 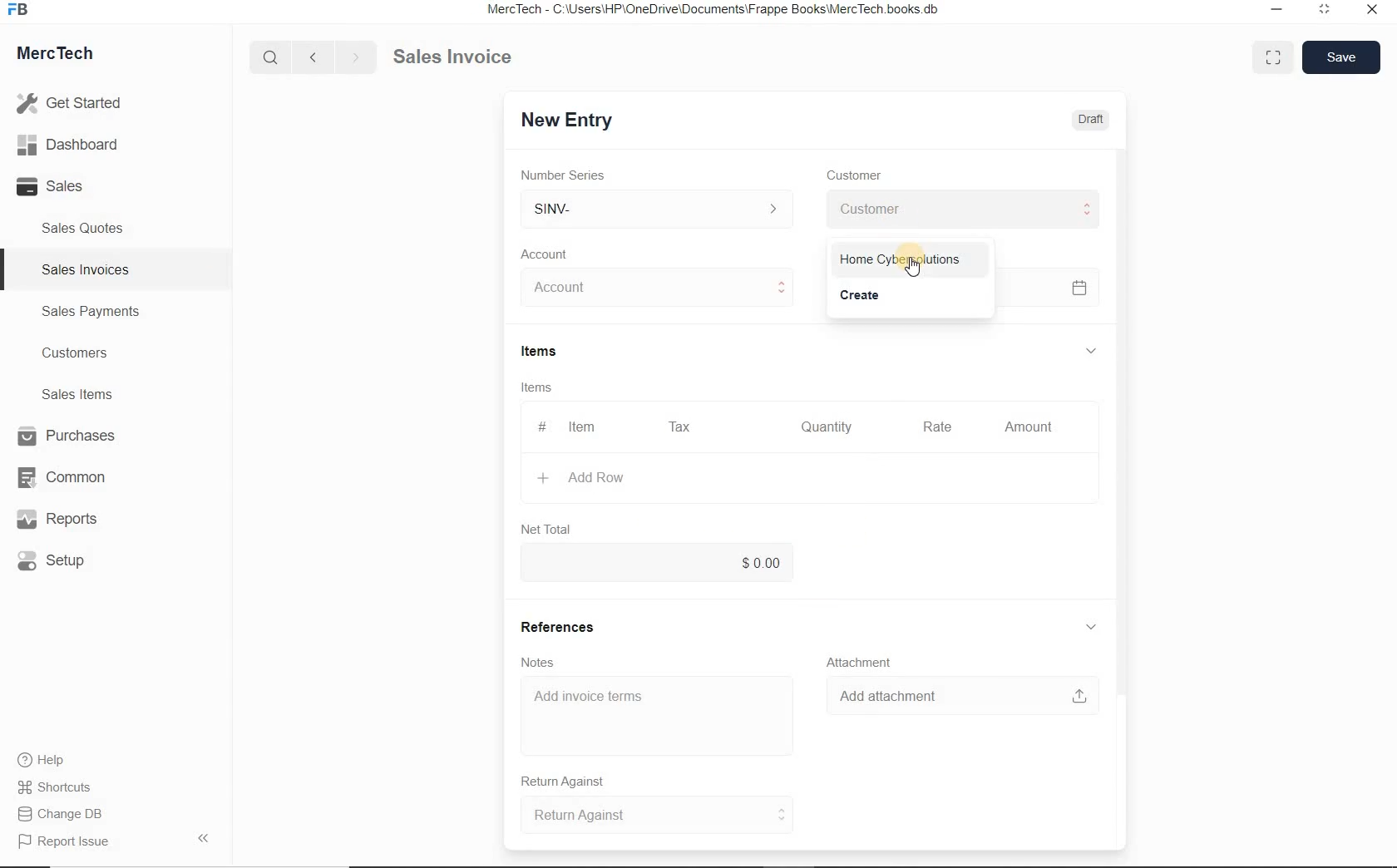 What do you see at coordinates (69, 437) in the screenshot?
I see `Purchases` at bounding box center [69, 437].